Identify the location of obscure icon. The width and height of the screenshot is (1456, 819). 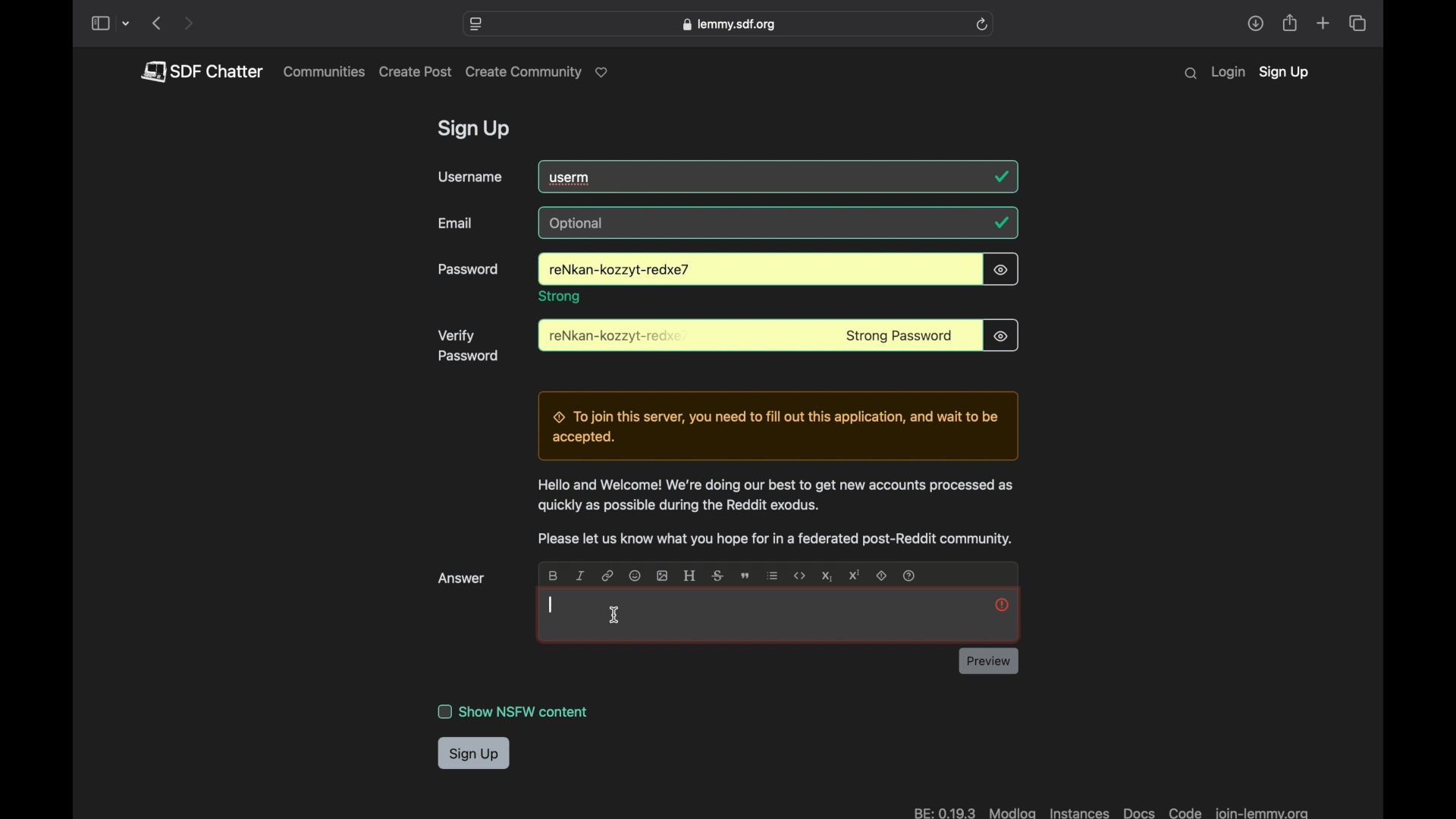
(1000, 335).